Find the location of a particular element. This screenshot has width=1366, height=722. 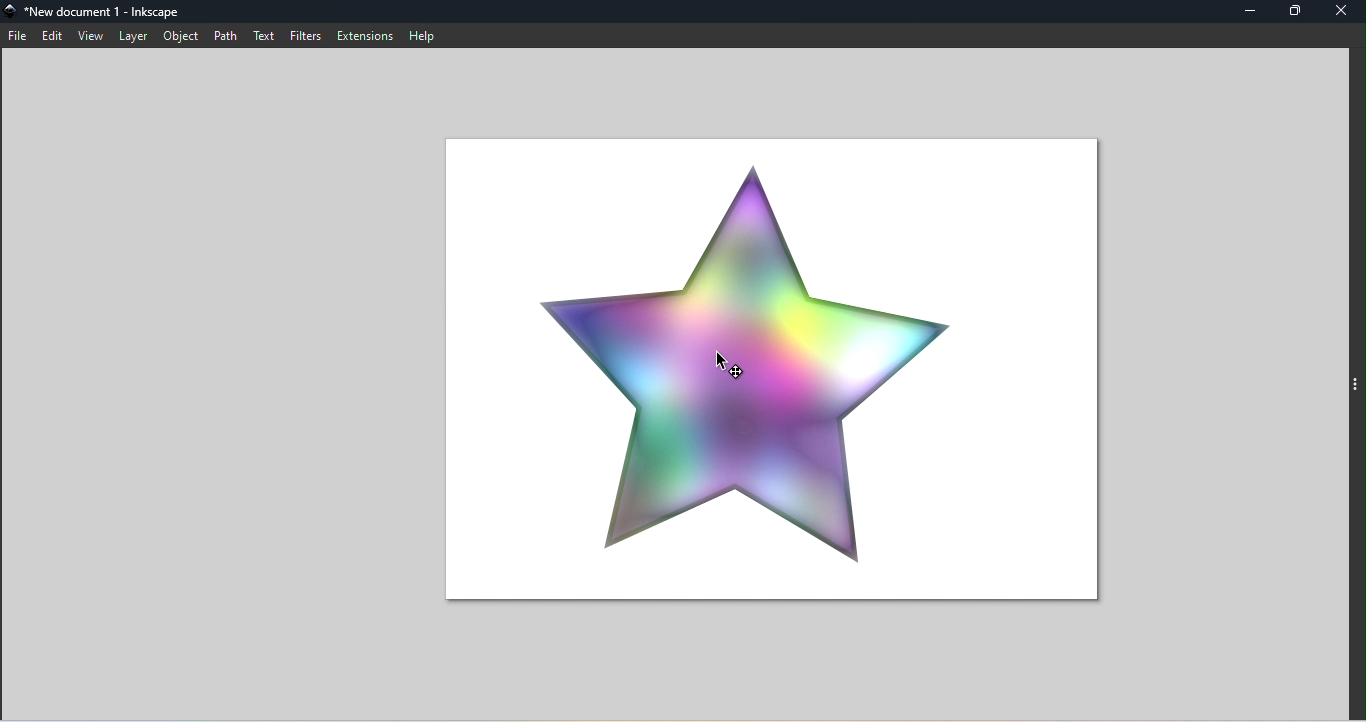

Object is located at coordinates (180, 37).